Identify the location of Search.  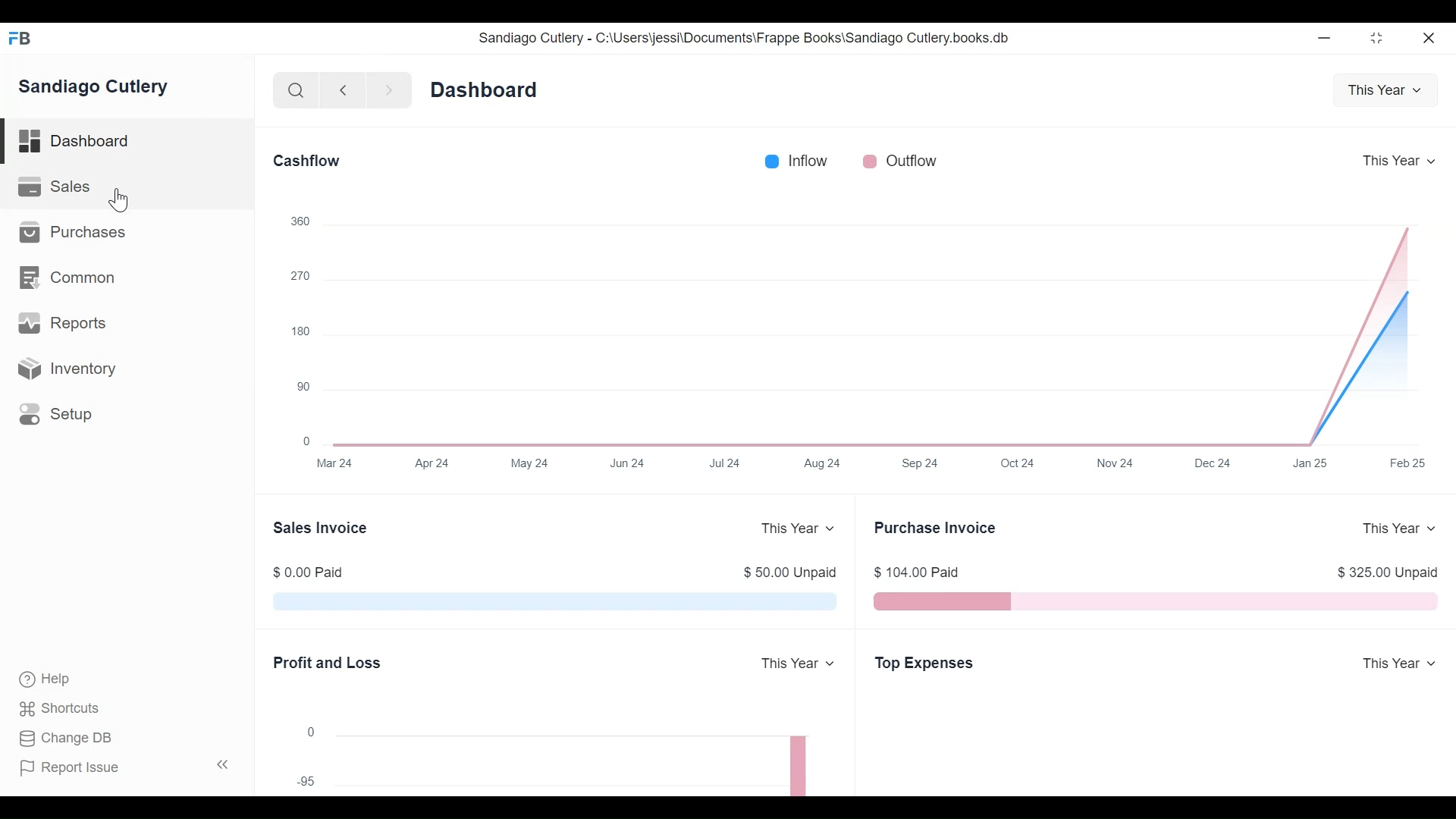
(293, 90).